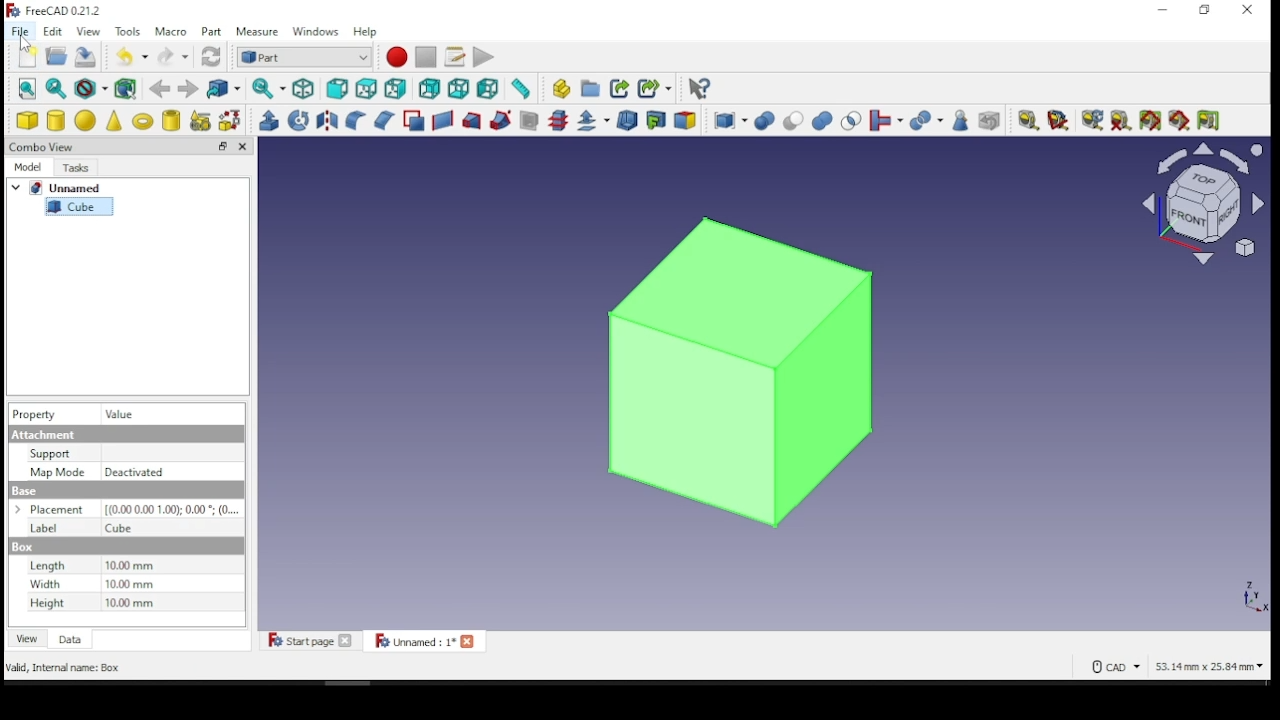 Image resolution: width=1280 pixels, height=720 pixels. Describe the element at coordinates (621, 90) in the screenshot. I see `make link` at that location.